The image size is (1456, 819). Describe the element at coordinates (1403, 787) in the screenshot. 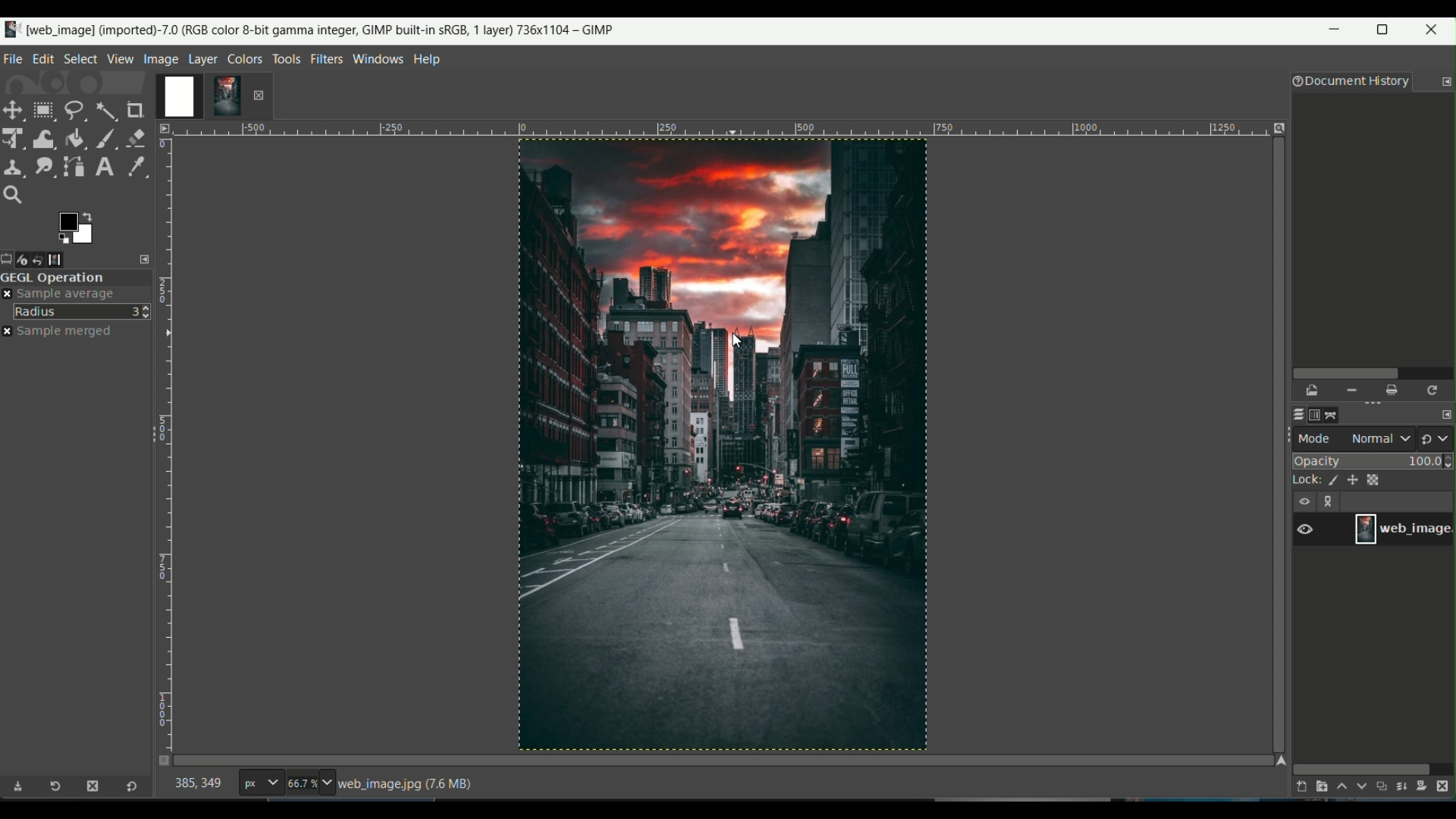

I see `merge layer` at that location.